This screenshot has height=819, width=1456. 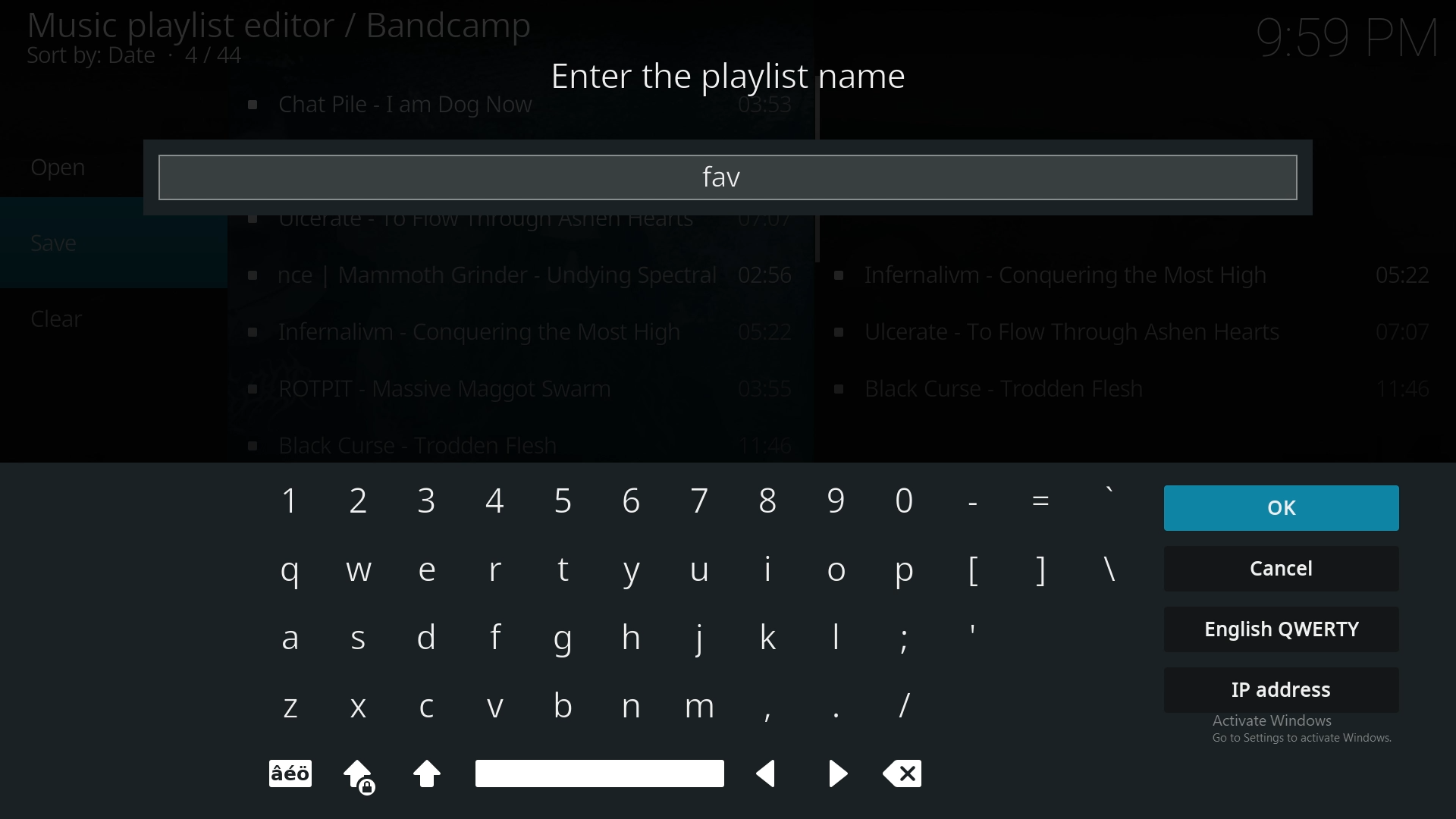 What do you see at coordinates (1284, 629) in the screenshot?
I see `english qwerty` at bounding box center [1284, 629].